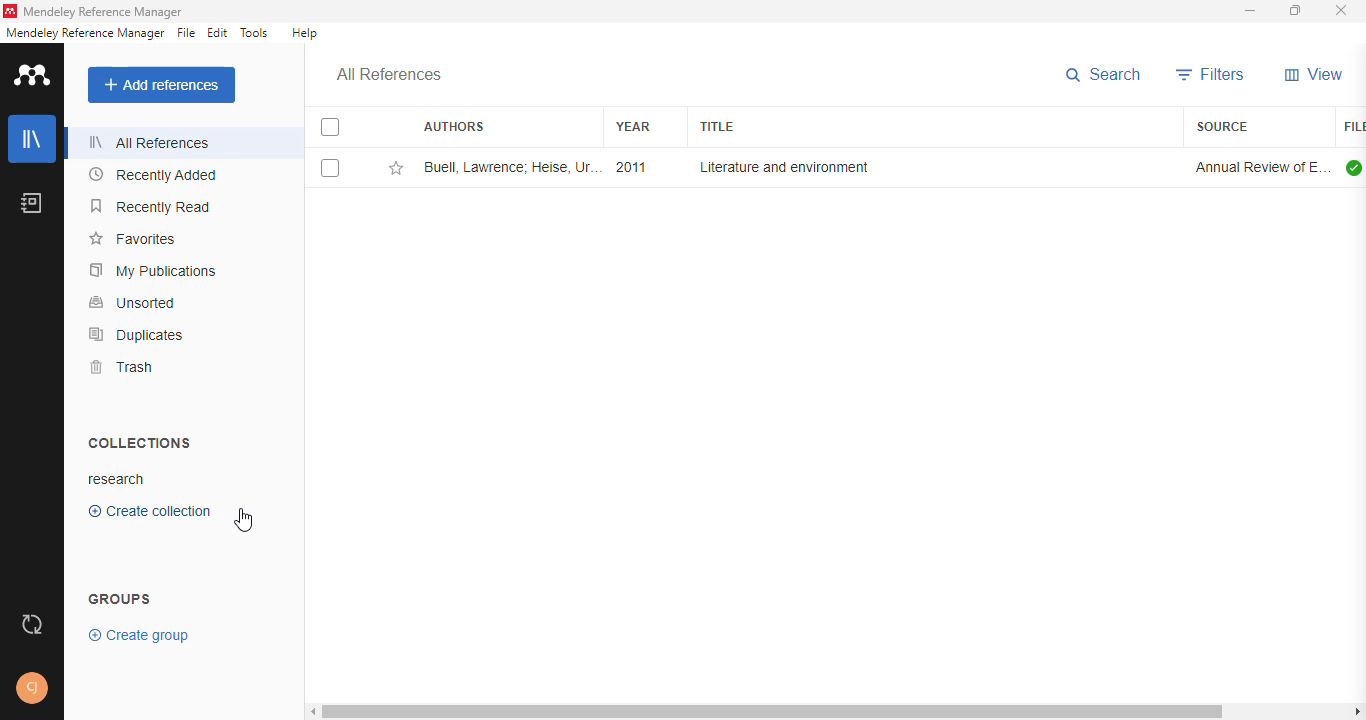 The height and width of the screenshot is (720, 1366). What do you see at coordinates (1261, 167) in the screenshot?
I see `annual review of environment and resources` at bounding box center [1261, 167].